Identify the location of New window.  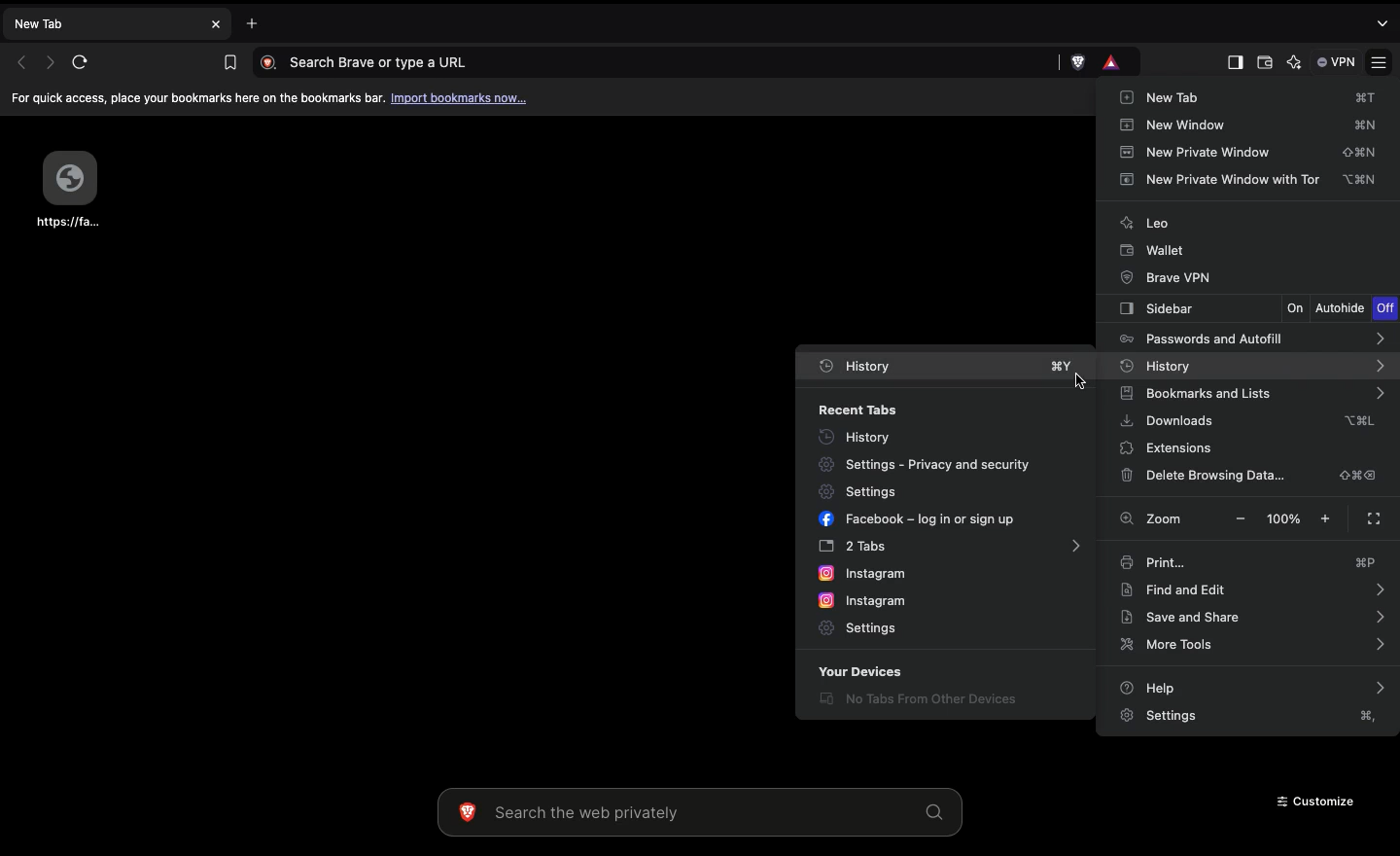
(1240, 127).